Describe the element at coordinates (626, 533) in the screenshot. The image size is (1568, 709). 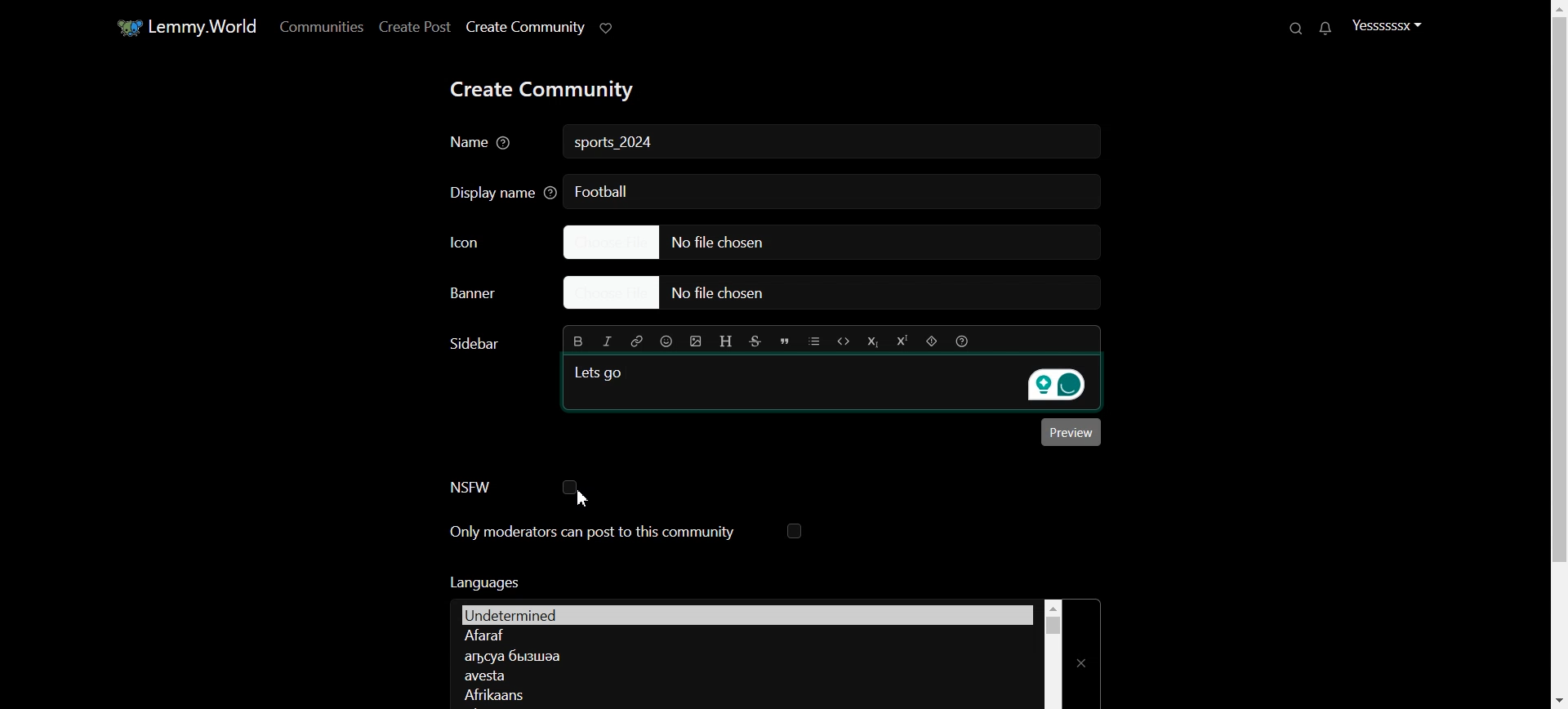
I see `Only moderators can post to this community` at that location.